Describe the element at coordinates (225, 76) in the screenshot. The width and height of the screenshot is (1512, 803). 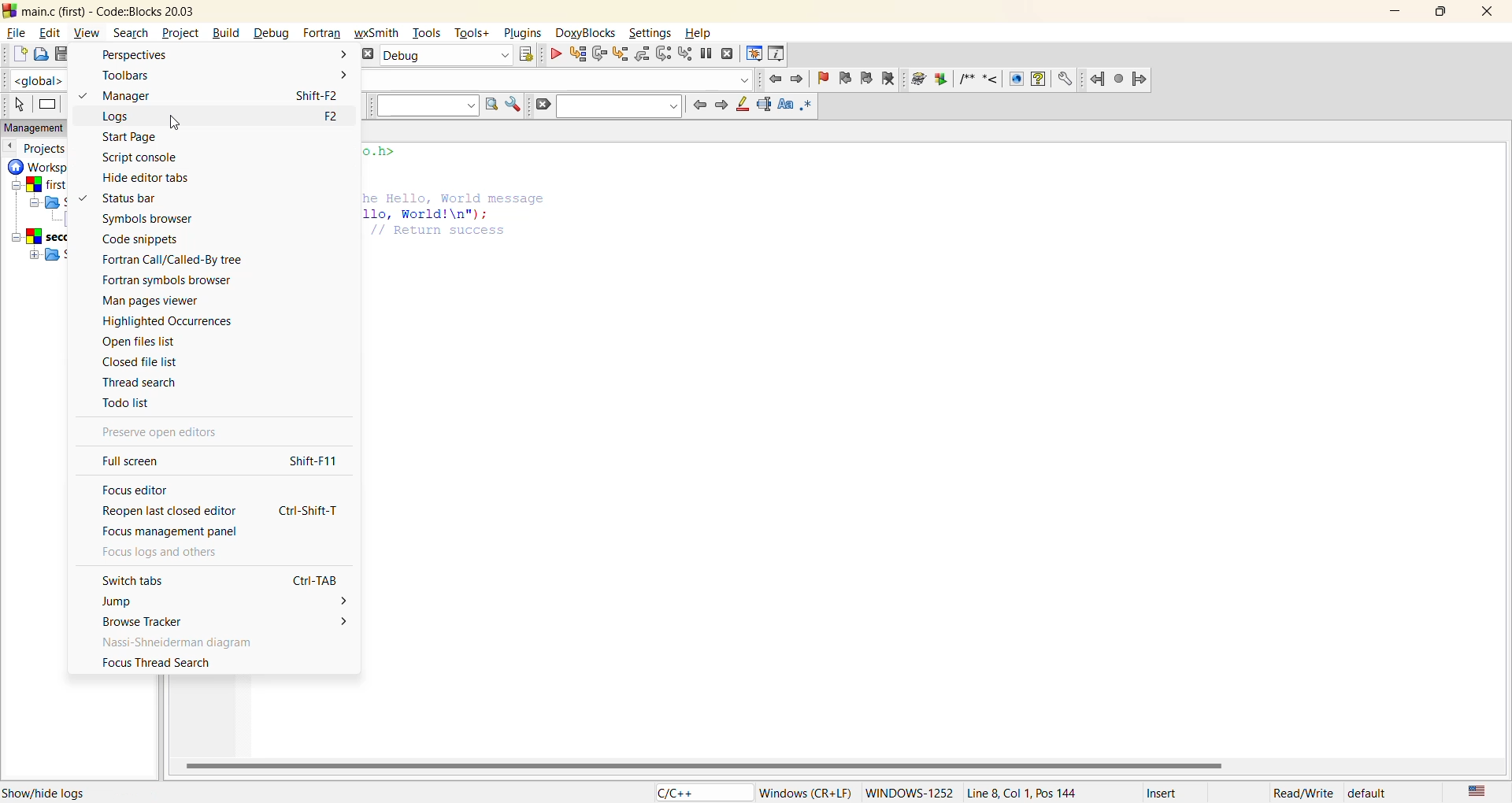
I see `toolbars` at that location.